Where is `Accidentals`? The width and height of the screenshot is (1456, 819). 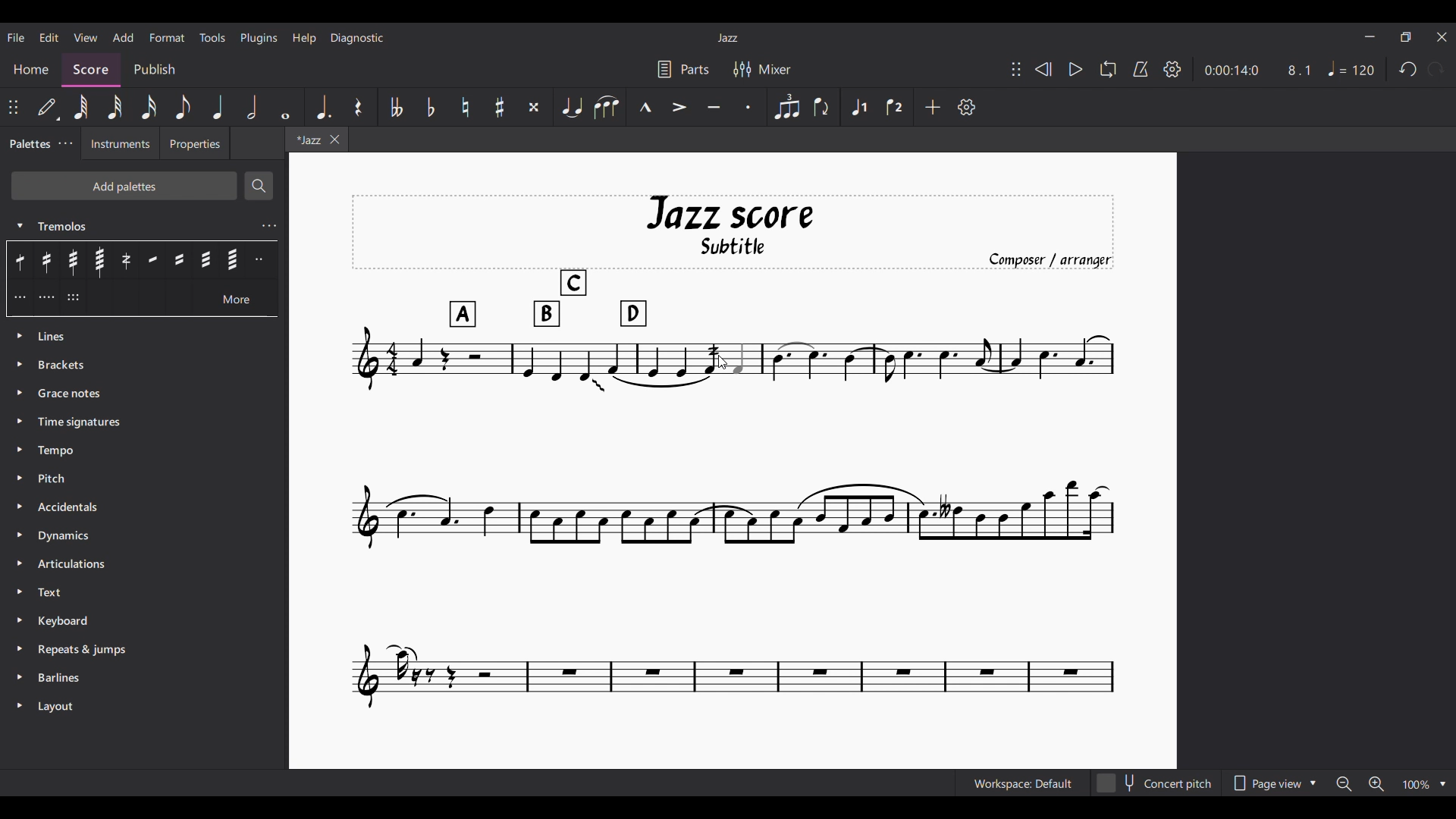 Accidentals is located at coordinates (146, 507).